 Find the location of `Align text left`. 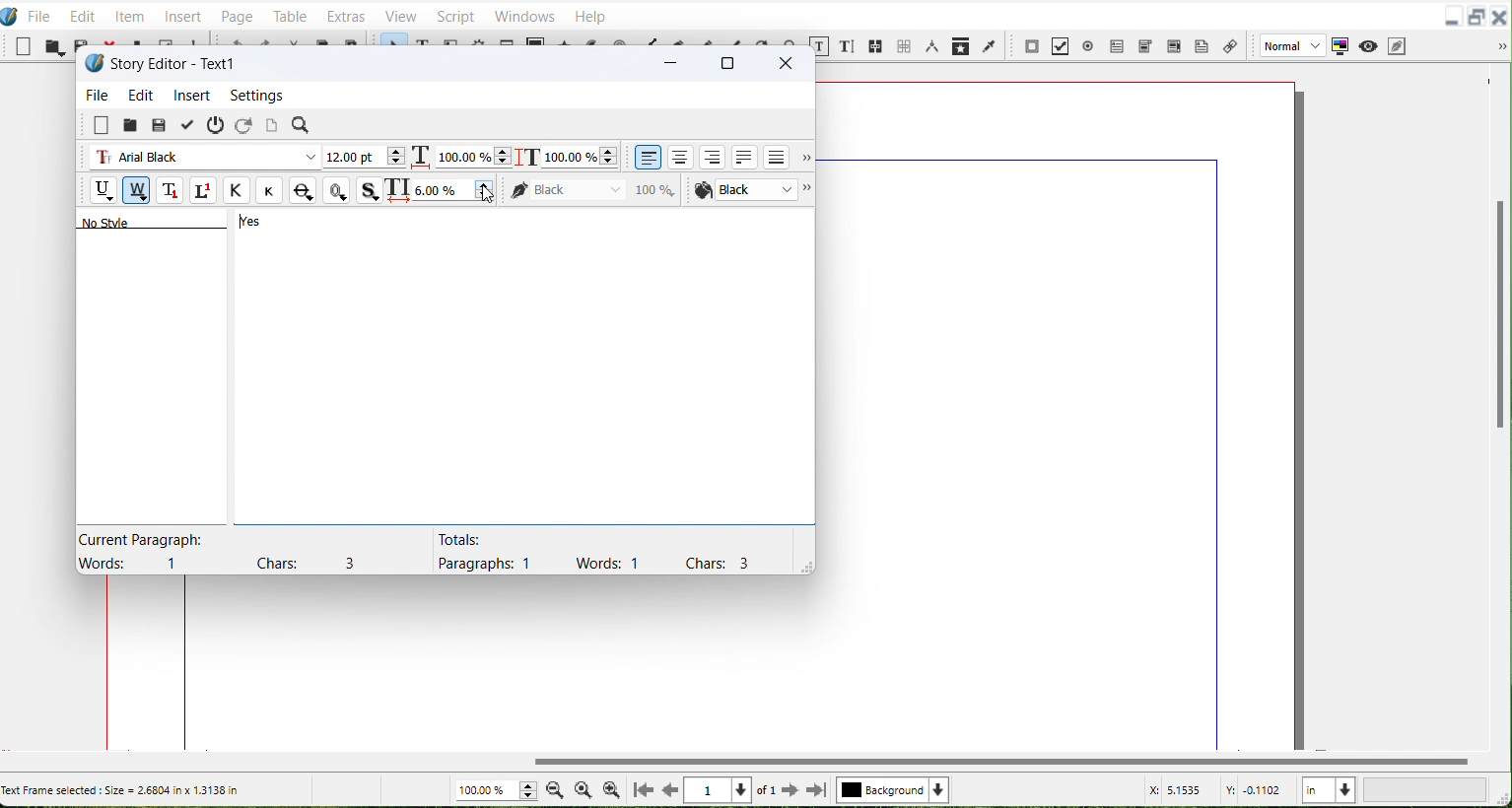

Align text left is located at coordinates (645, 158).